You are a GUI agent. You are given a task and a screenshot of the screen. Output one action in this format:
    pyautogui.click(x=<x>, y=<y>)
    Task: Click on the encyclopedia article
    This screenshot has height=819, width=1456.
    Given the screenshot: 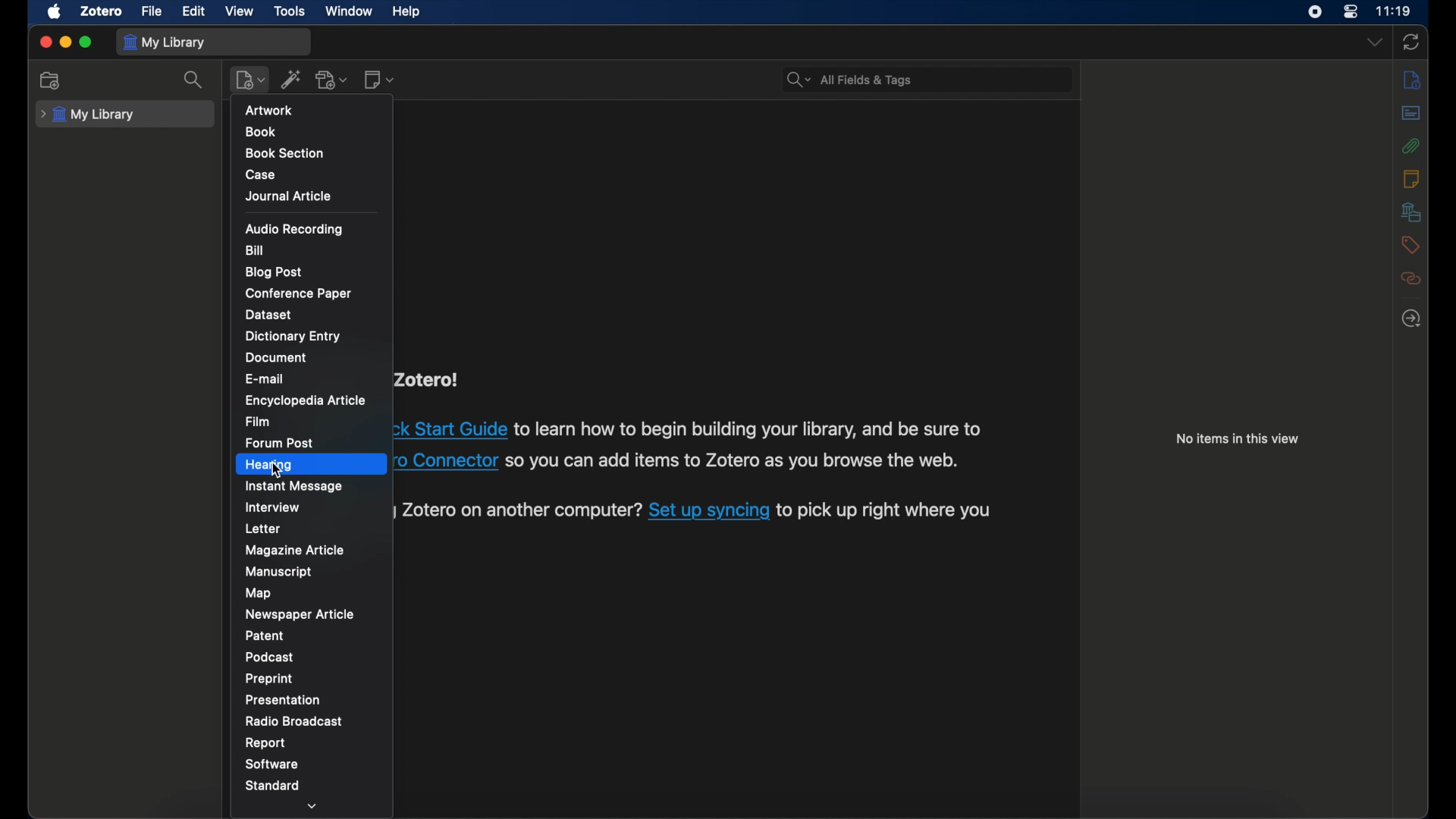 What is the action you would take?
    pyautogui.click(x=306, y=400)
    